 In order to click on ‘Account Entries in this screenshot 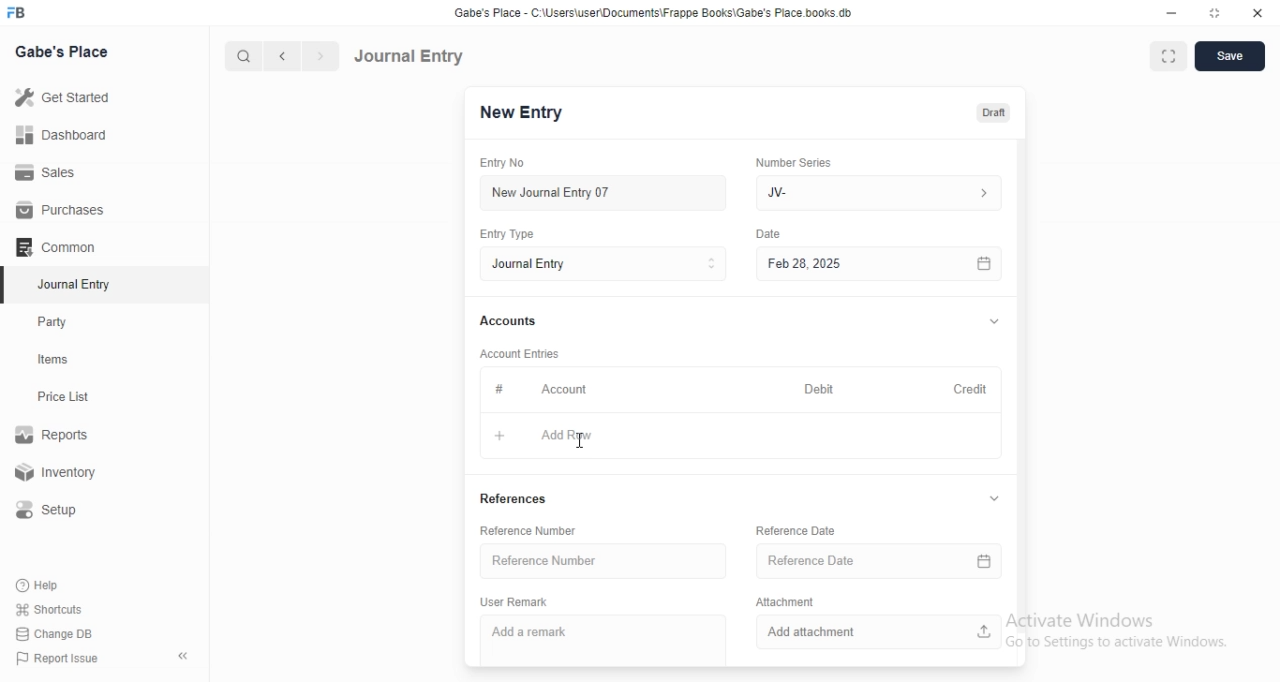, I will do `click(521, 353)`.